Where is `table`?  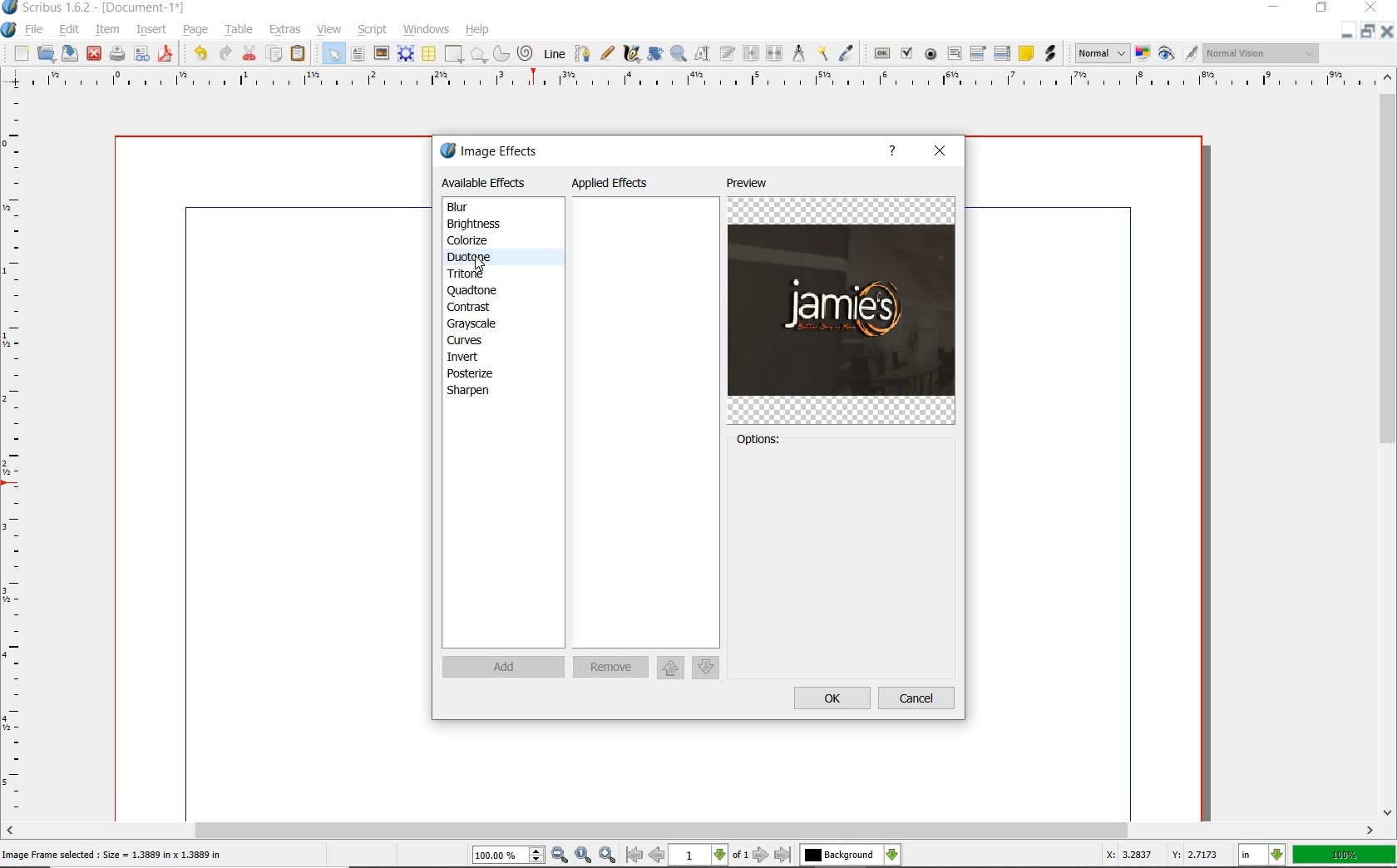
table is located at coordinates (238, 28).